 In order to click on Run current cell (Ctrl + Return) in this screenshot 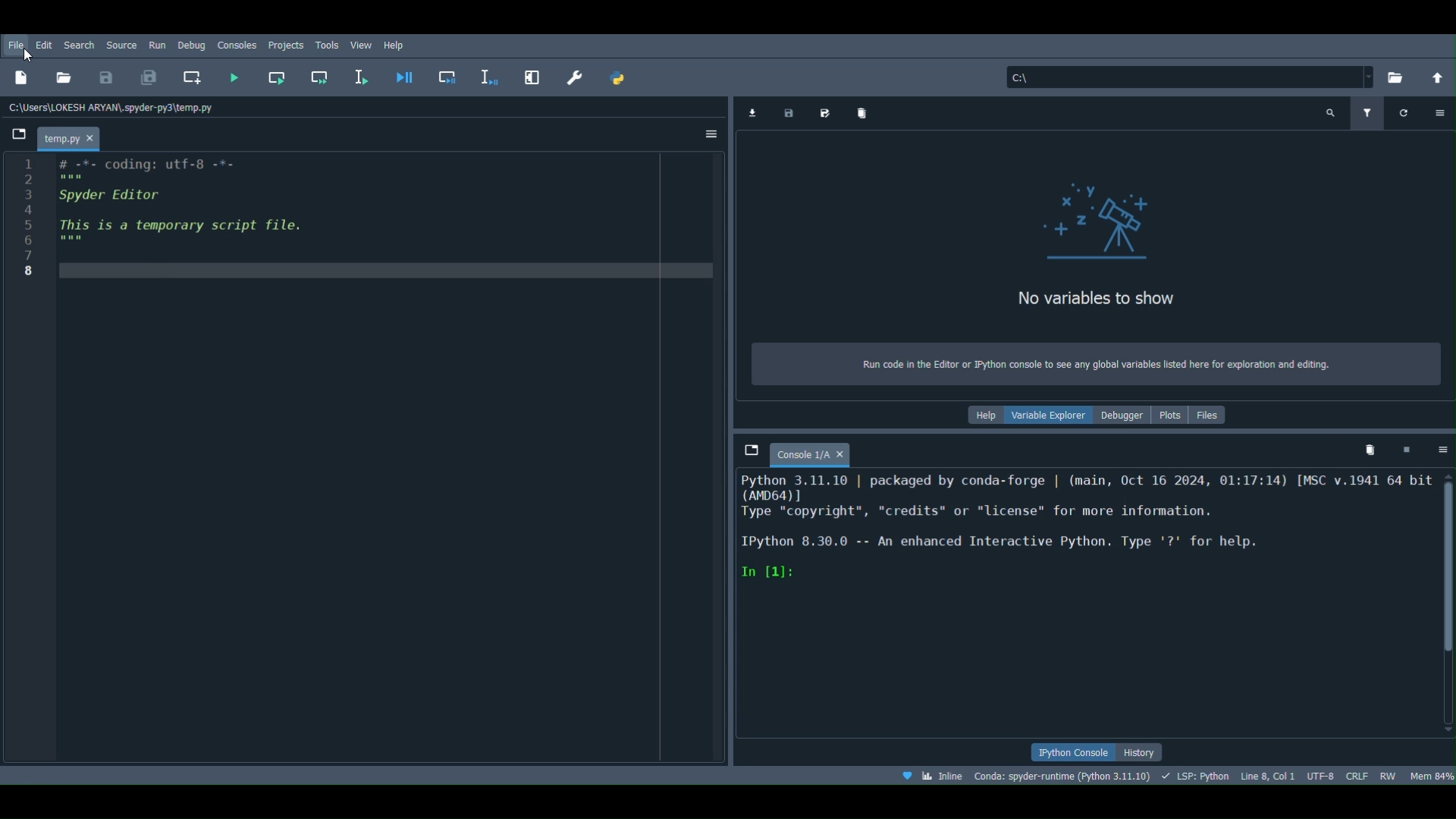, I will do `click(276, 76)`.